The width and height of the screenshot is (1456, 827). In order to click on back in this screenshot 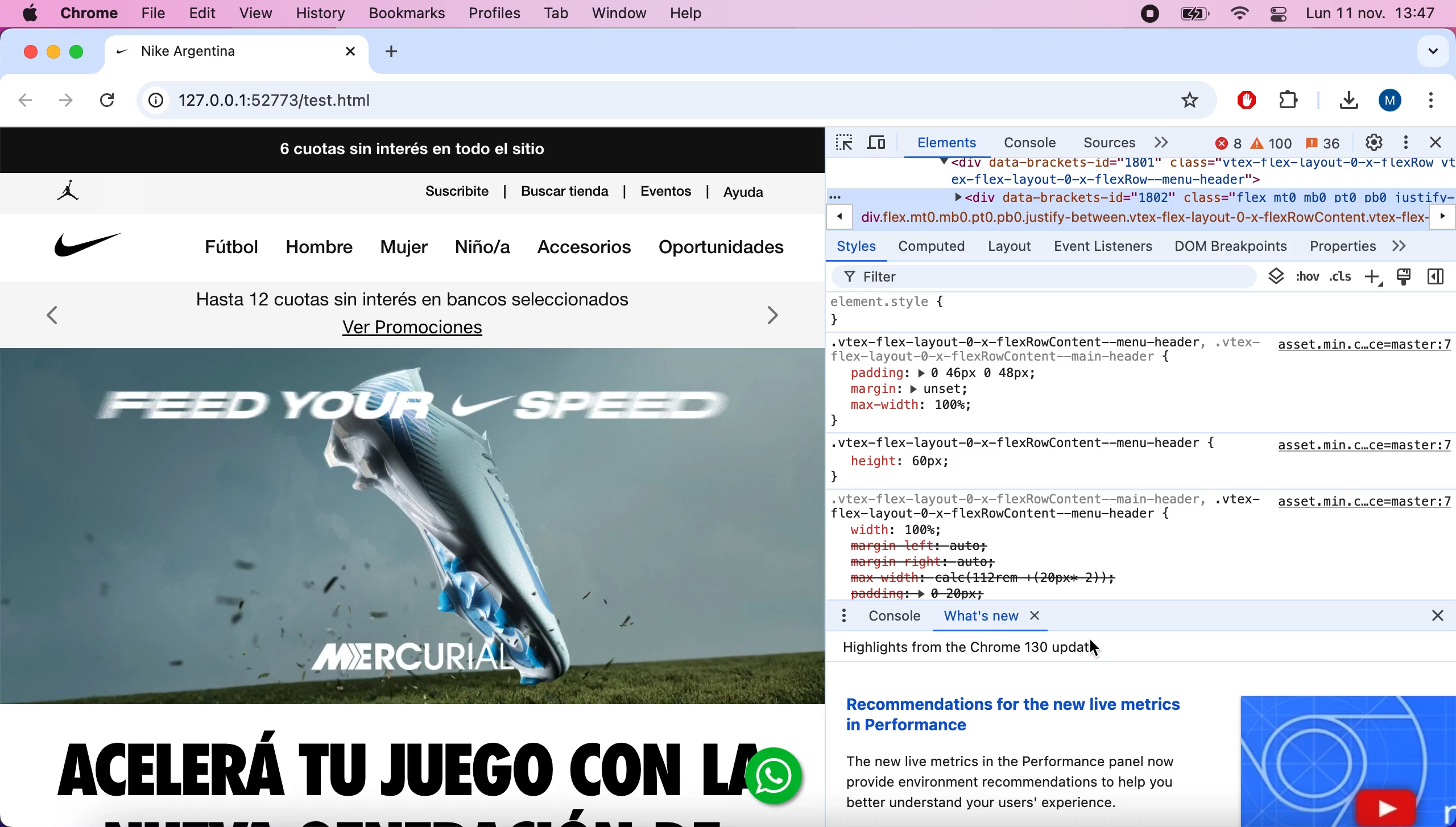, I will do `click(26, 103)`.